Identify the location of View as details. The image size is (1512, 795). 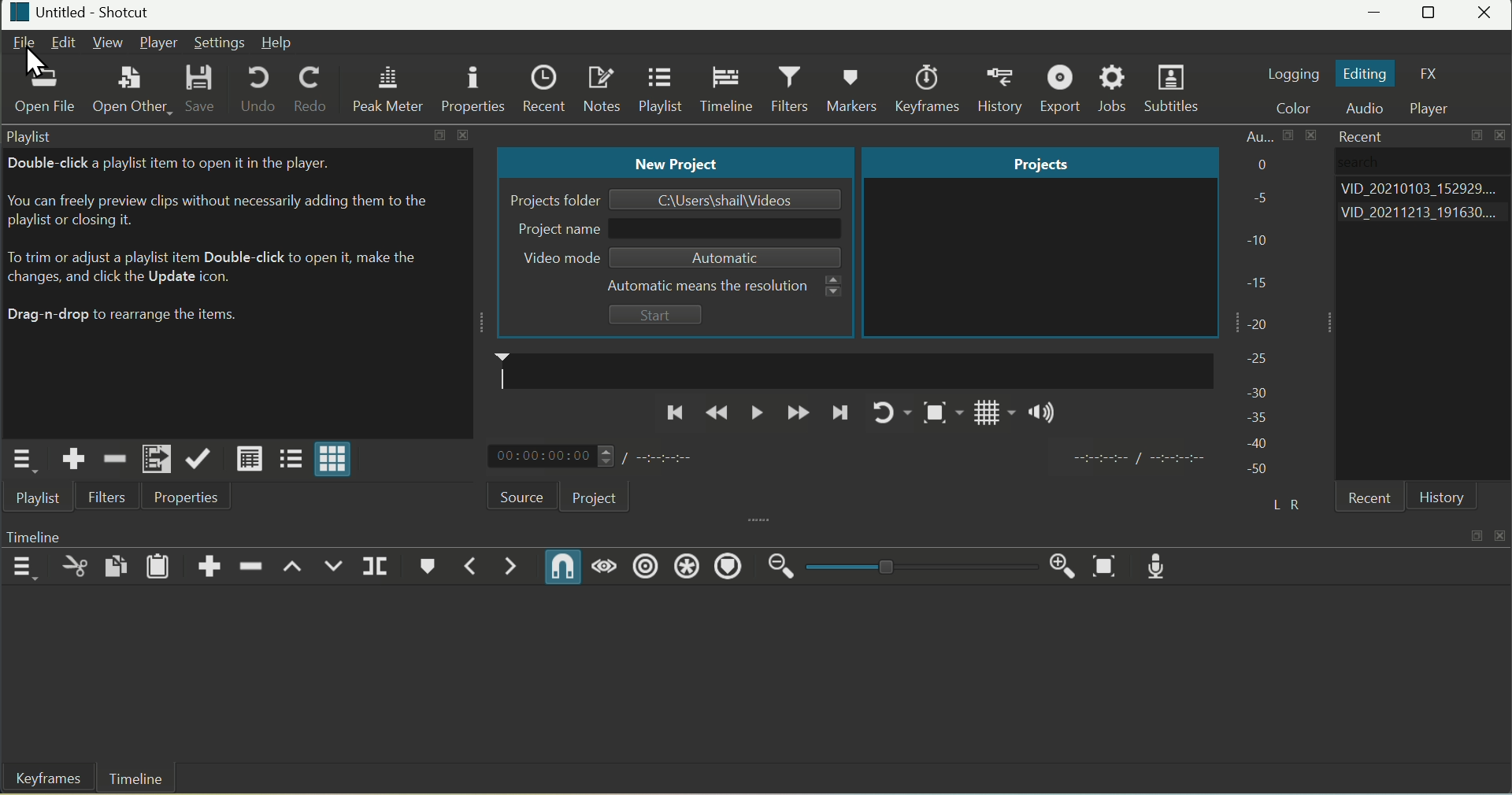
(249, 459).